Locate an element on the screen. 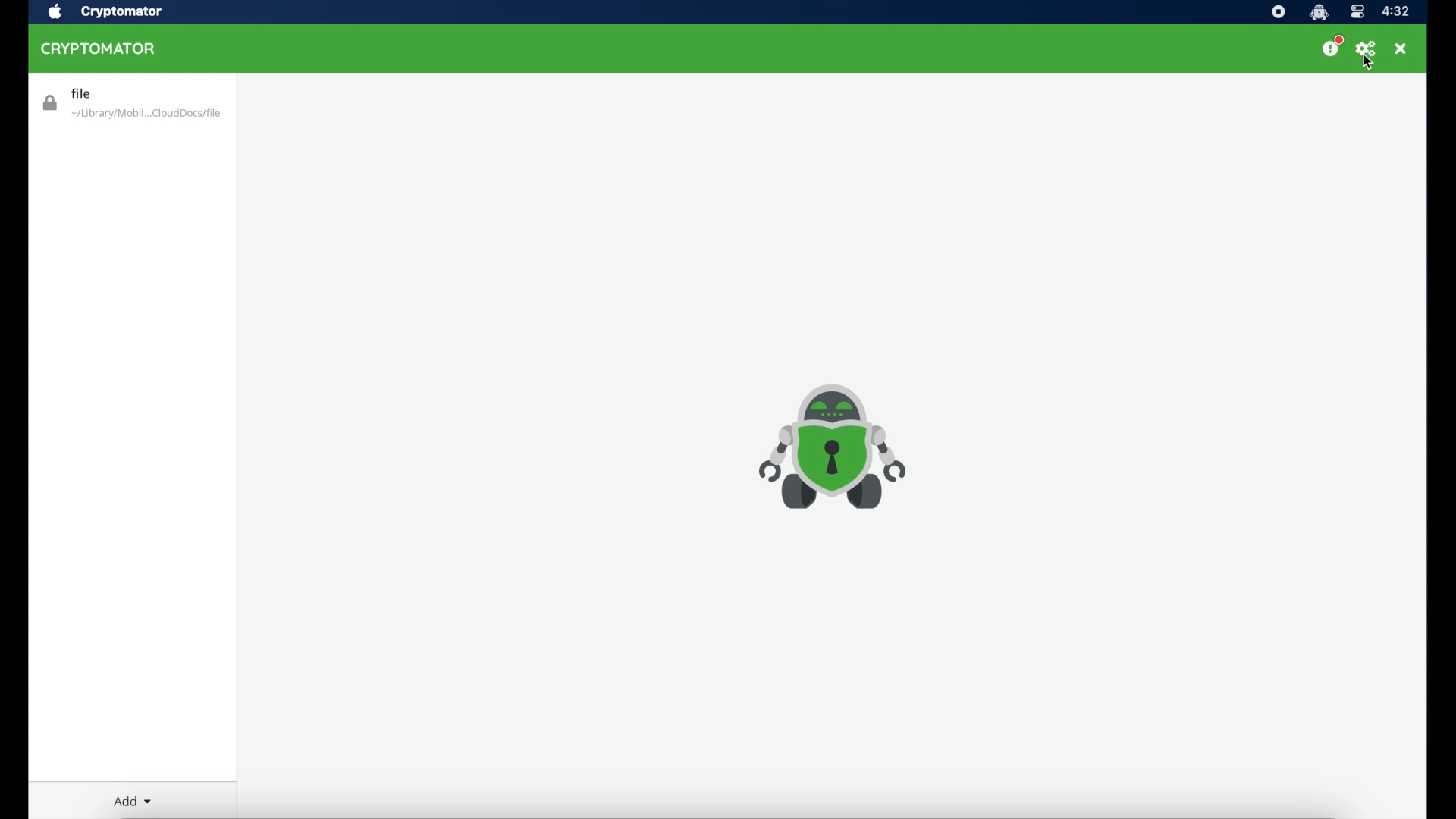 The image size is (1456, 819). cryptomator icon is located at coordinates (839, 447).